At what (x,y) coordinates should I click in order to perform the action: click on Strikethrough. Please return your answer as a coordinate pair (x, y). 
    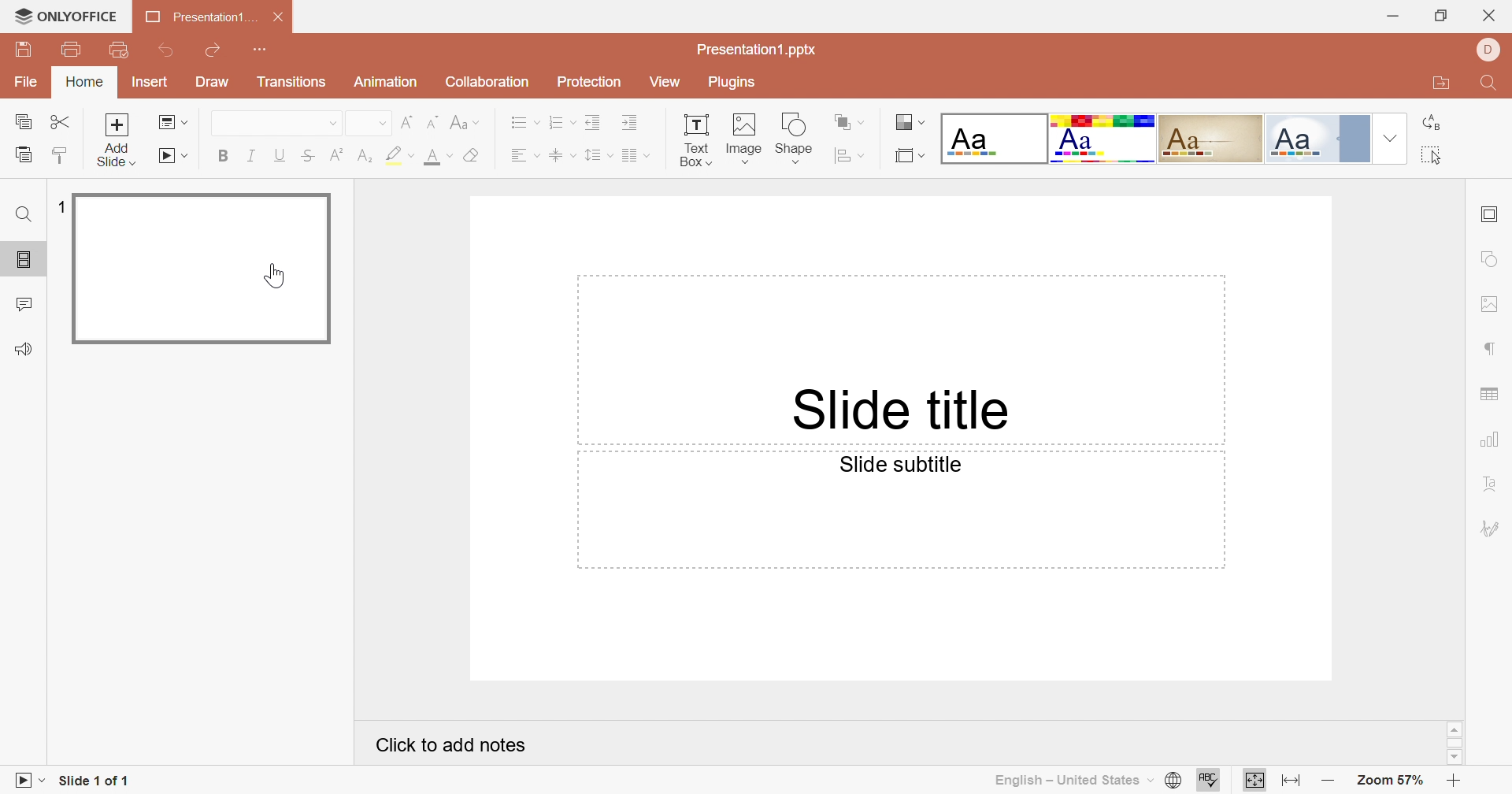
    Looking at the image, I should click on (310, 152).